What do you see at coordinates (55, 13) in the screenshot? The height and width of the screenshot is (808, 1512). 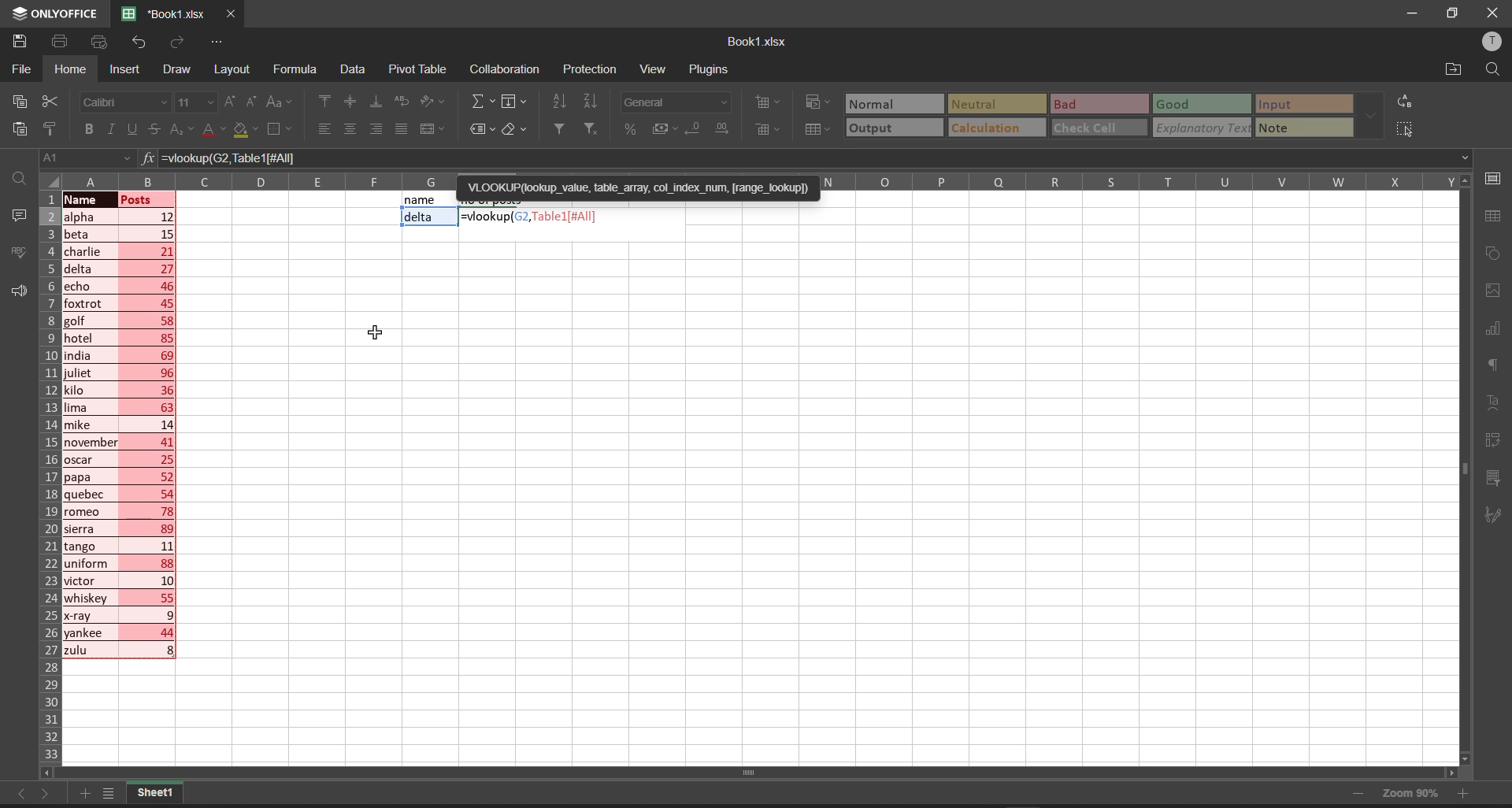 I see `onlyoffice` at bounding box center [55, 13].